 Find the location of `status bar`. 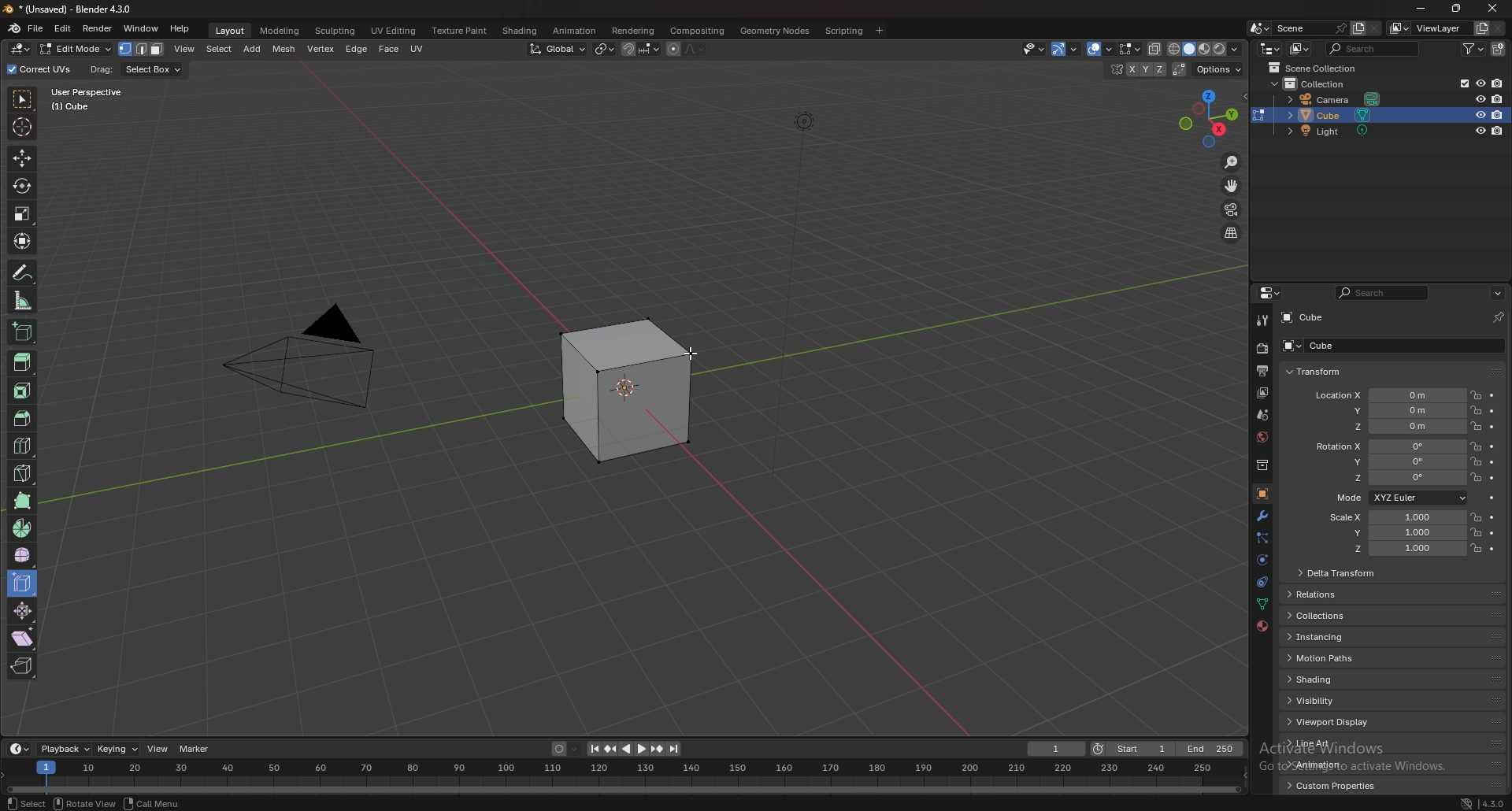

status bar is located at coordinates (128, 803).